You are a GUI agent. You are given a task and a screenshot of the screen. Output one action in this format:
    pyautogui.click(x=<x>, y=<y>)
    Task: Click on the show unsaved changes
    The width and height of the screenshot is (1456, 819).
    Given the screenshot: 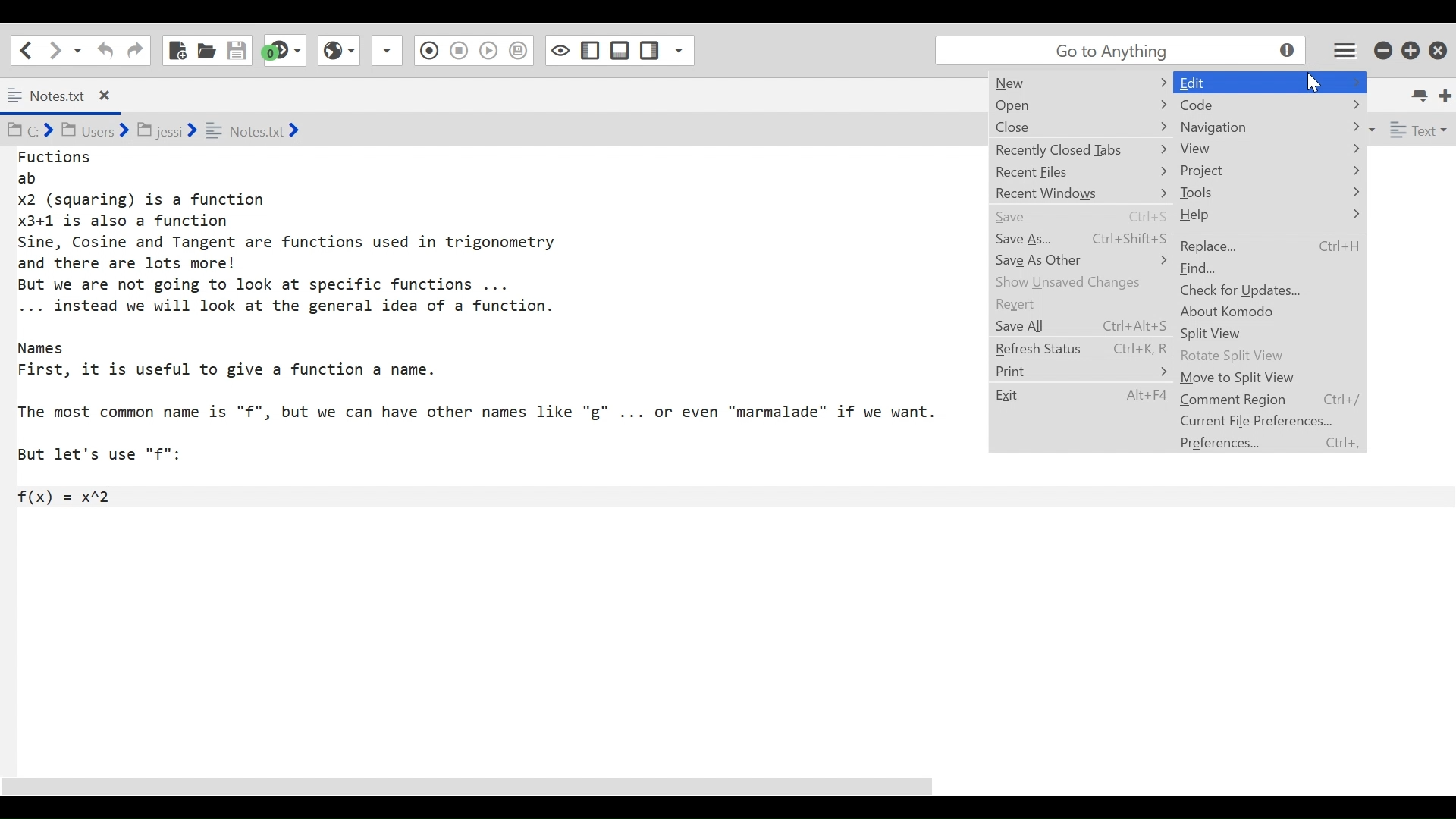 What is the action you would take?
    pyautogui.click(x=1054, y=283)
    